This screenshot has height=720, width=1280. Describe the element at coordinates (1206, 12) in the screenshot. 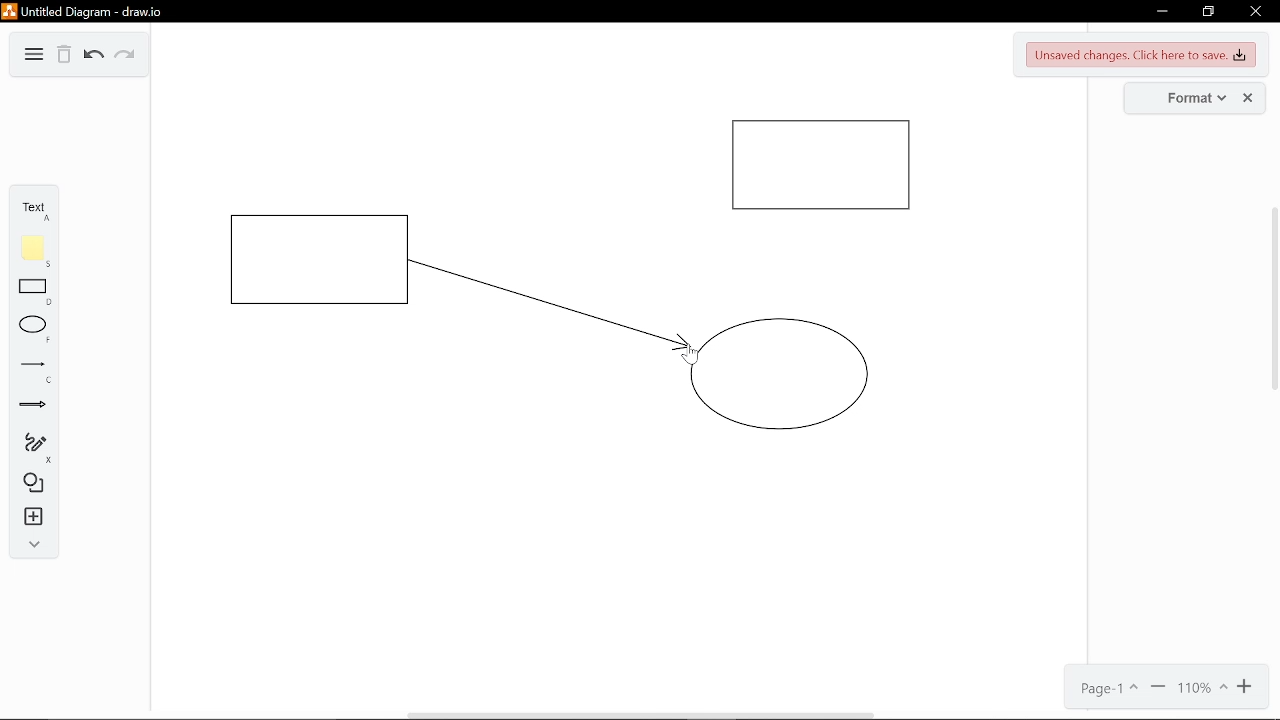

I see `Restore down` at that location.